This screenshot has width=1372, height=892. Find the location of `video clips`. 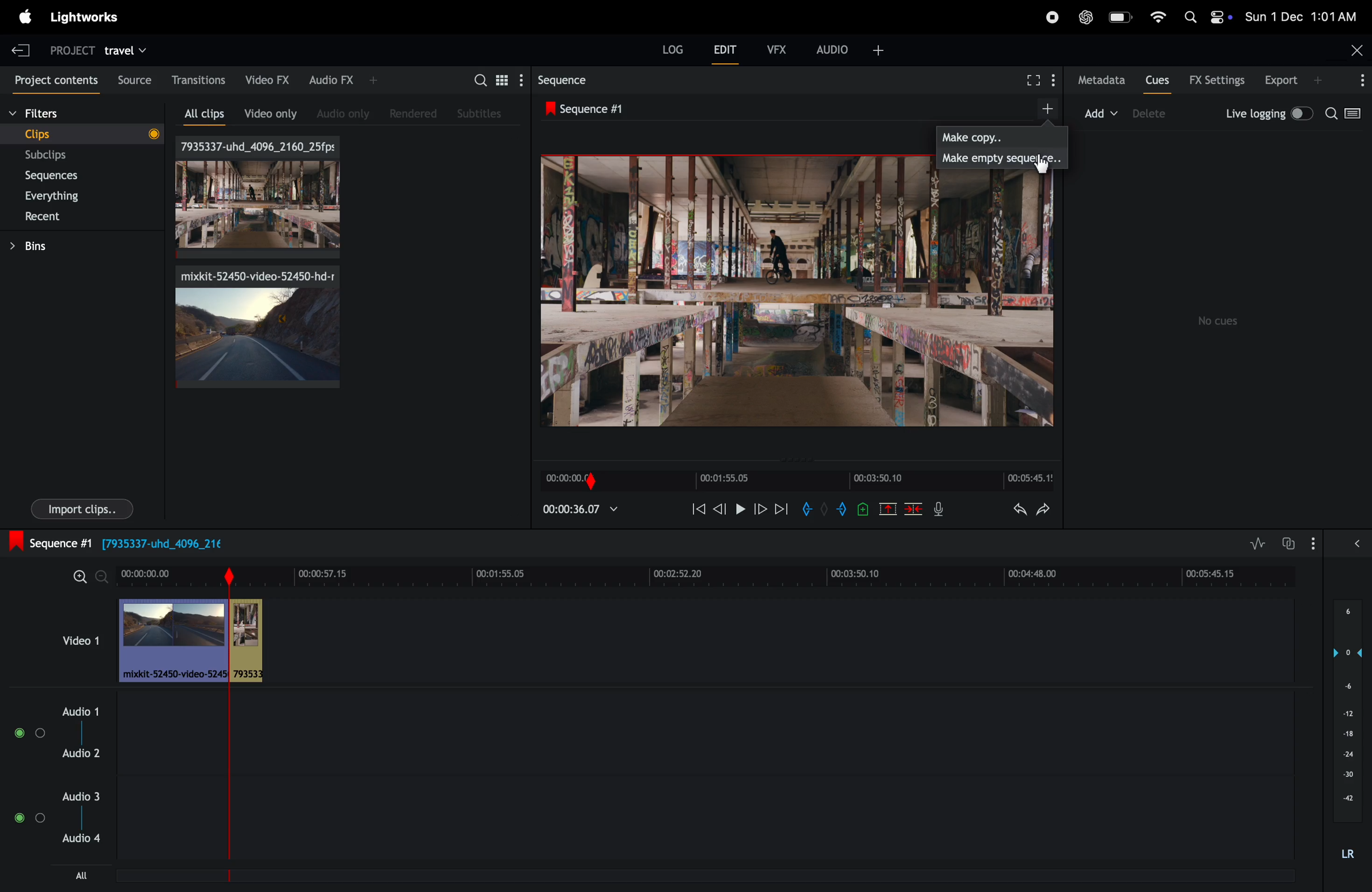

video clips is located at coordinates (79, 641).